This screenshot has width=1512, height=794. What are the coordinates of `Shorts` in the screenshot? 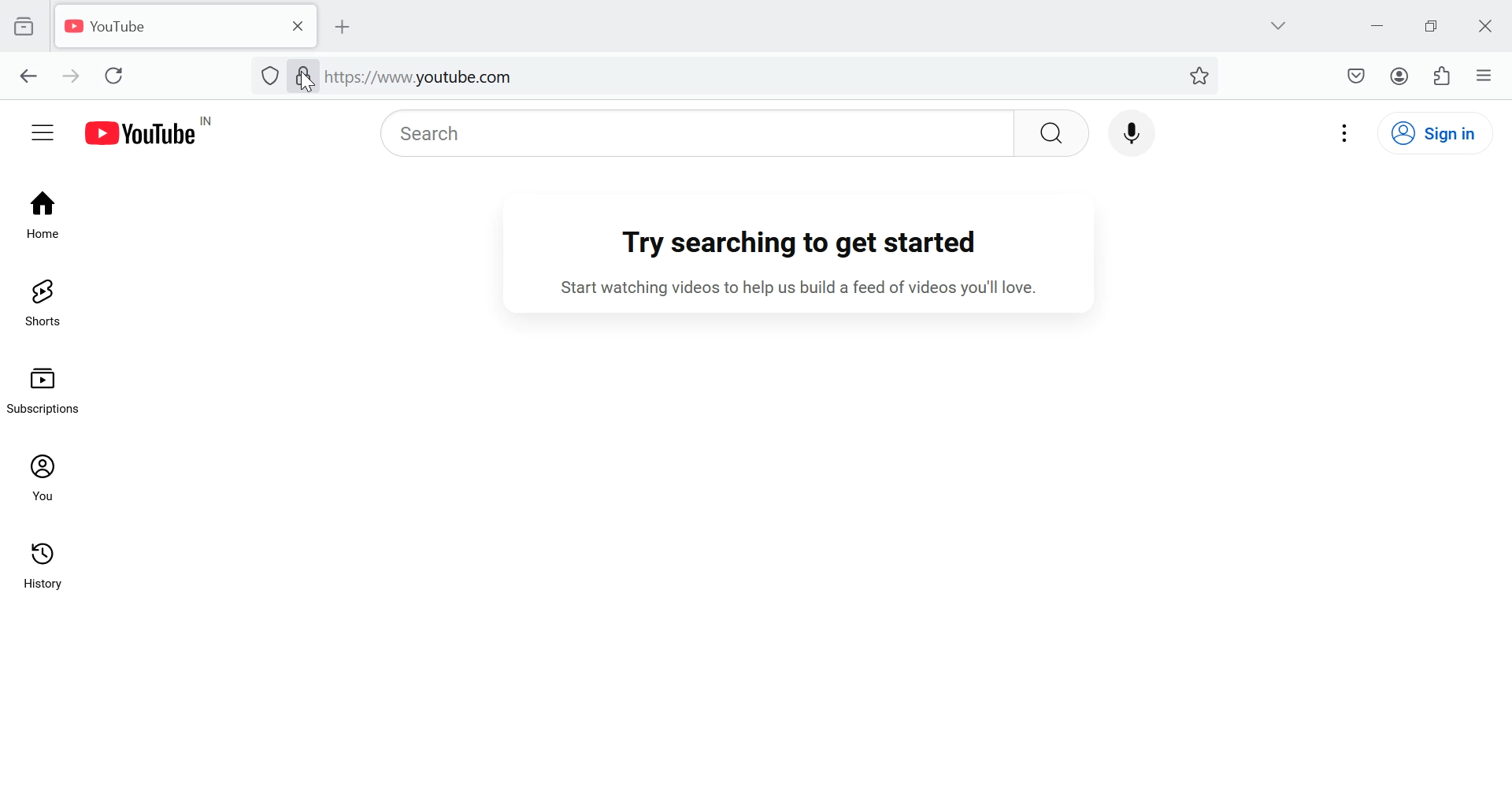 It's located at (41, 302).